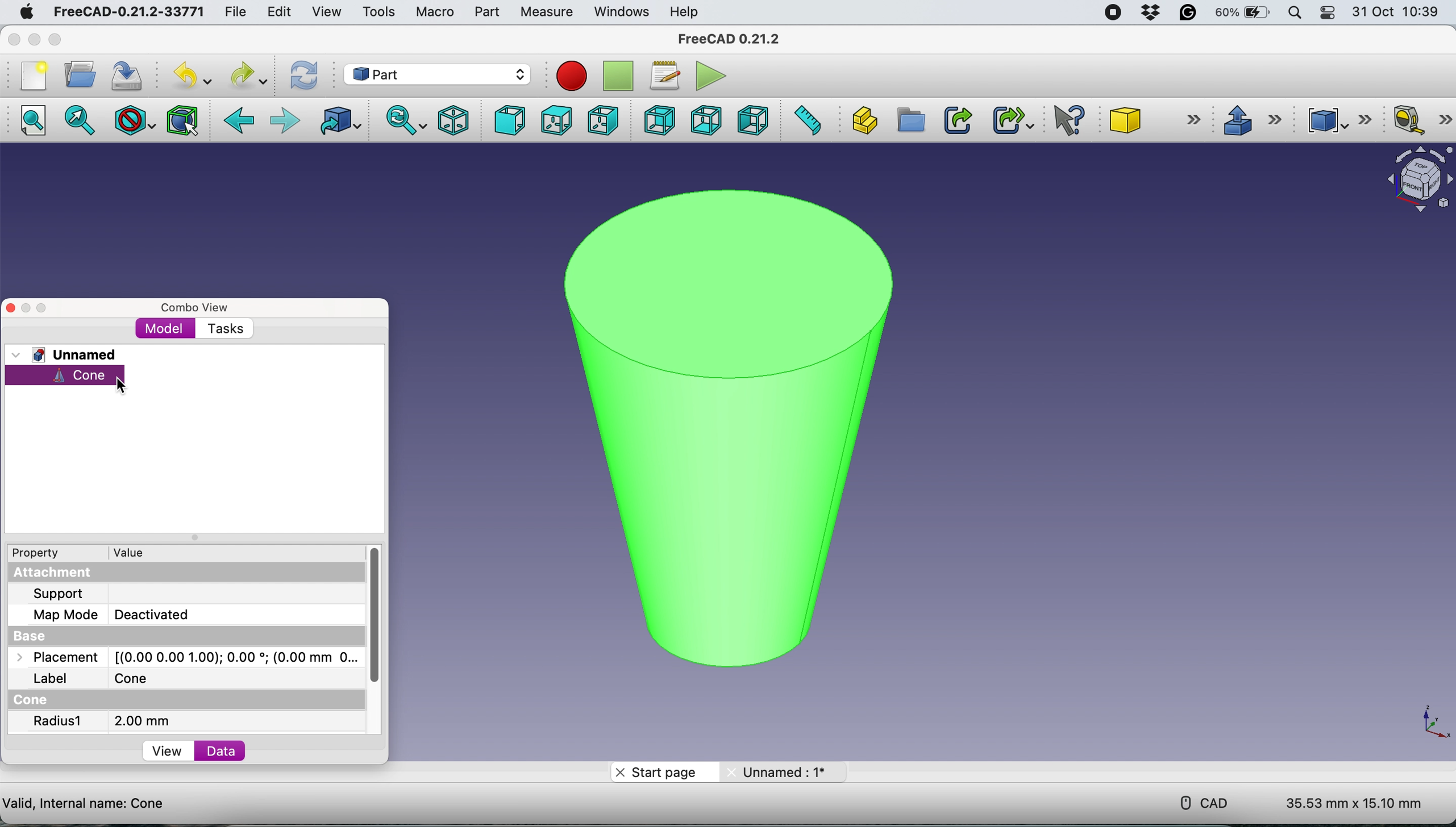 The width and height of the screenshot is (1456, 827). I want to click on close, so click(11, 307).